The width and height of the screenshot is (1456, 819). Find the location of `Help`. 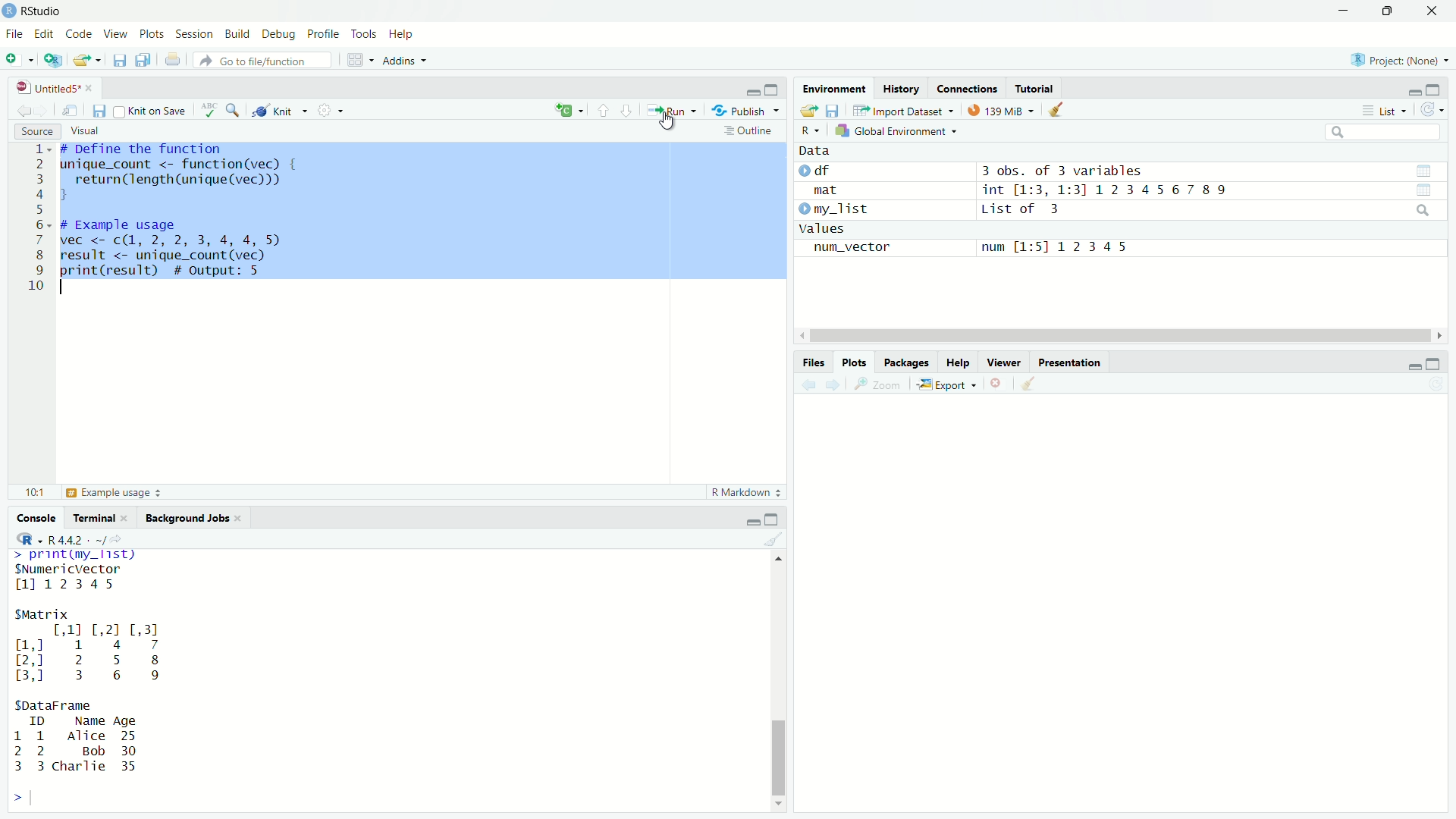

Help is located at coordinates (958, 362).